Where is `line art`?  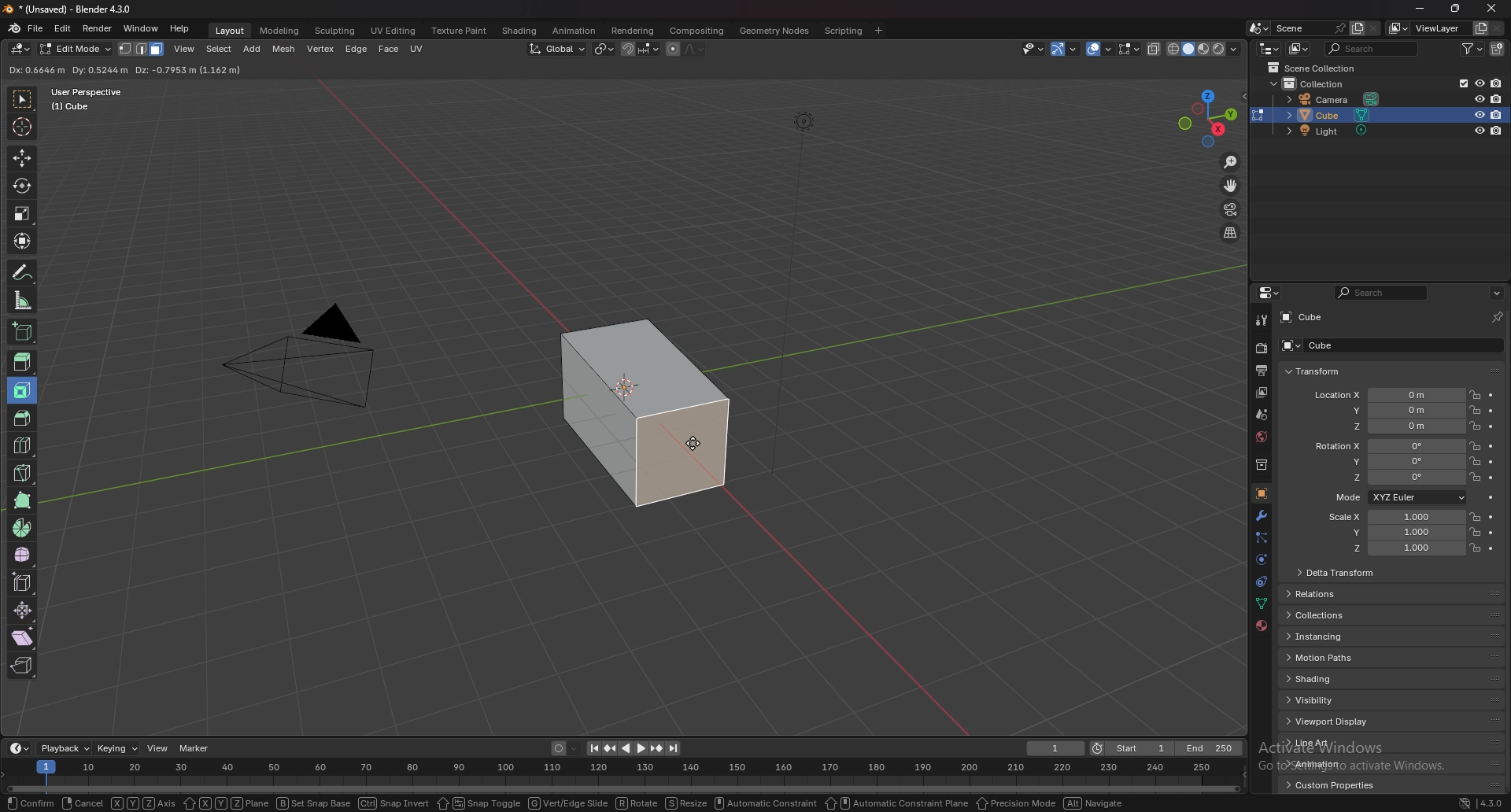 line art is located at coordinates (1329, 743).